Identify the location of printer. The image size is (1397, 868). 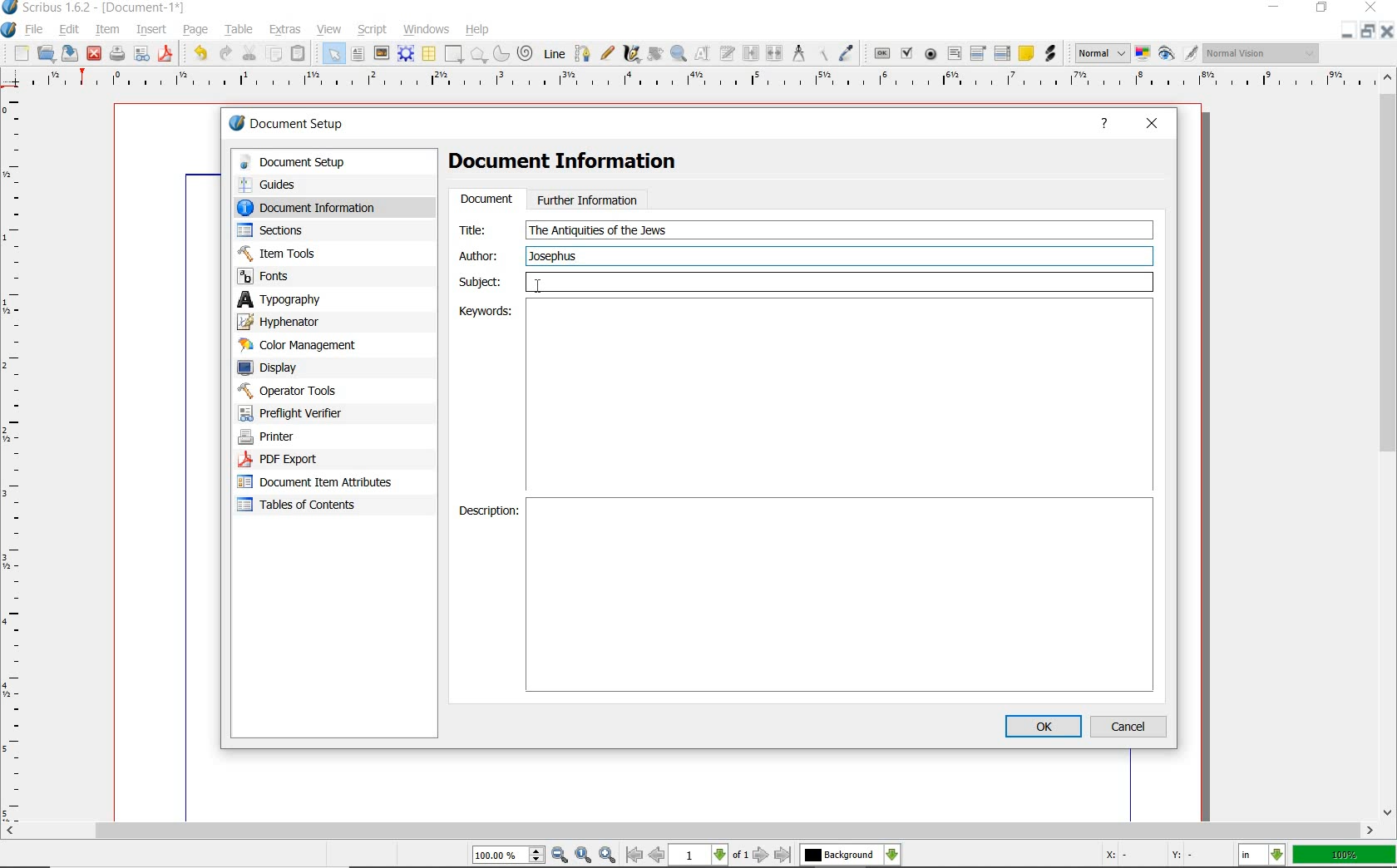
(306, 437).